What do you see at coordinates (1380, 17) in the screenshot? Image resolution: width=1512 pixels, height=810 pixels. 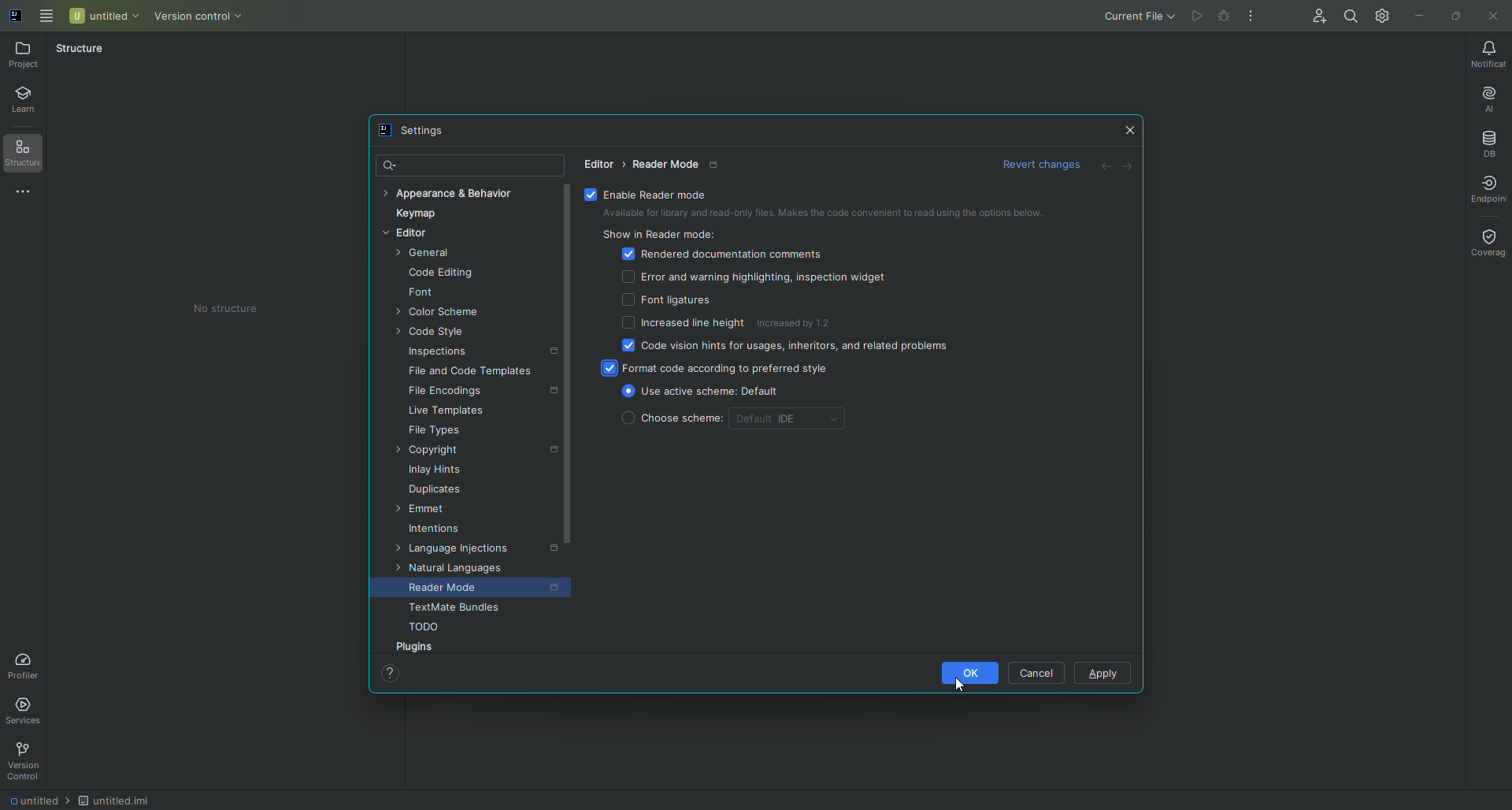 I see `Updates and Settings` at bounding box center [1380, 17].